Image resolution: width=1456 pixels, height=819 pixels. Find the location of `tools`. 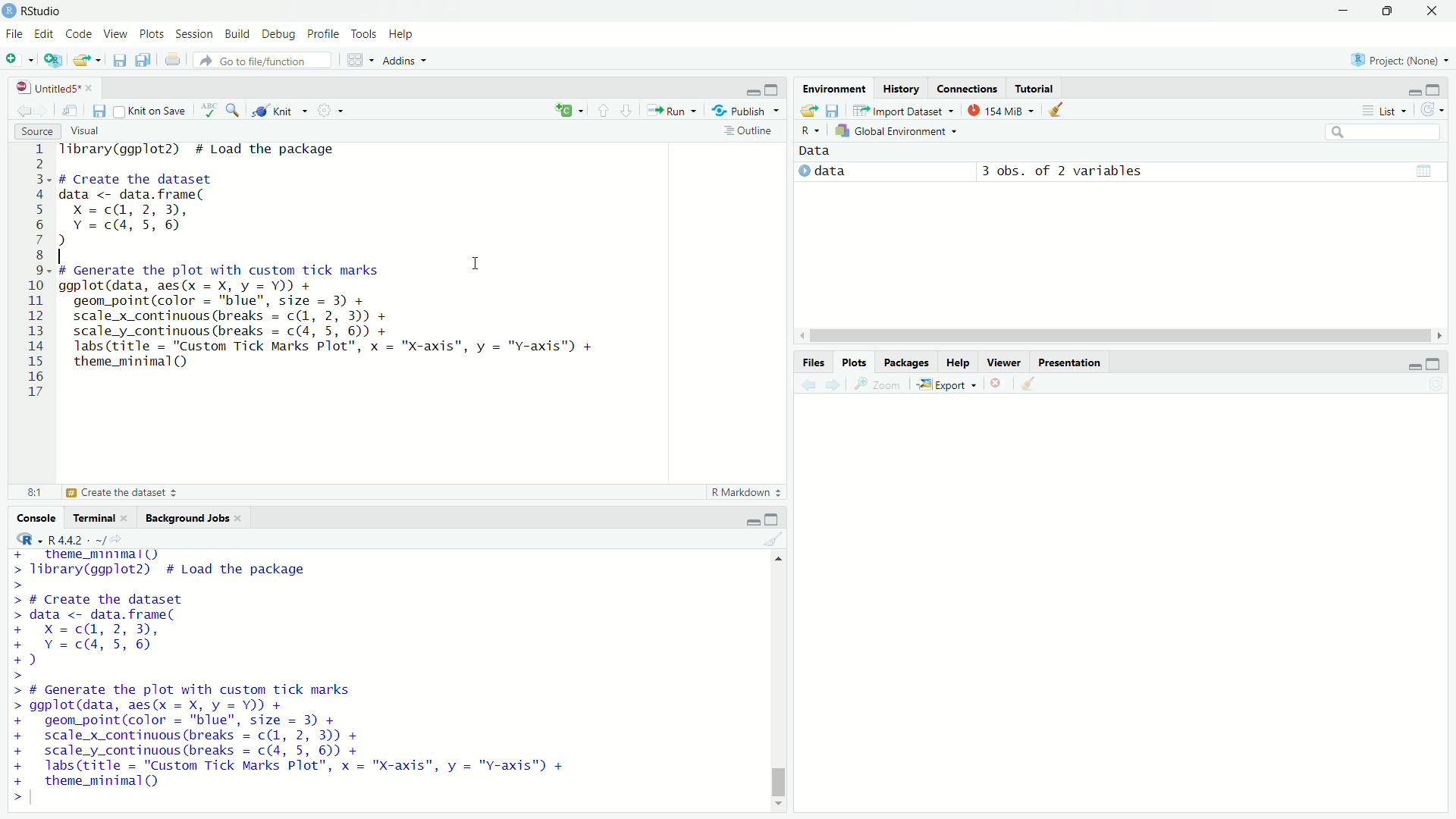

tools is located at coordinates (366, 33).